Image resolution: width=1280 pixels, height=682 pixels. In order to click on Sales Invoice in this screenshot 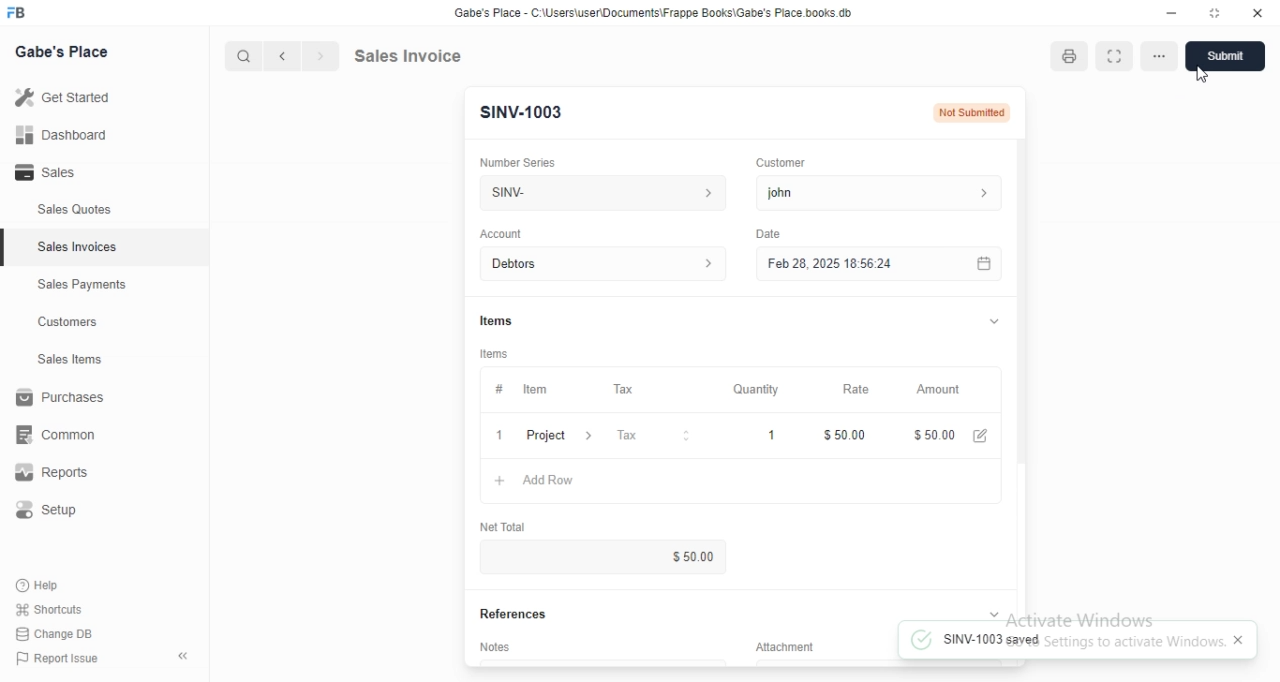, I will do `click(419, 55)`.